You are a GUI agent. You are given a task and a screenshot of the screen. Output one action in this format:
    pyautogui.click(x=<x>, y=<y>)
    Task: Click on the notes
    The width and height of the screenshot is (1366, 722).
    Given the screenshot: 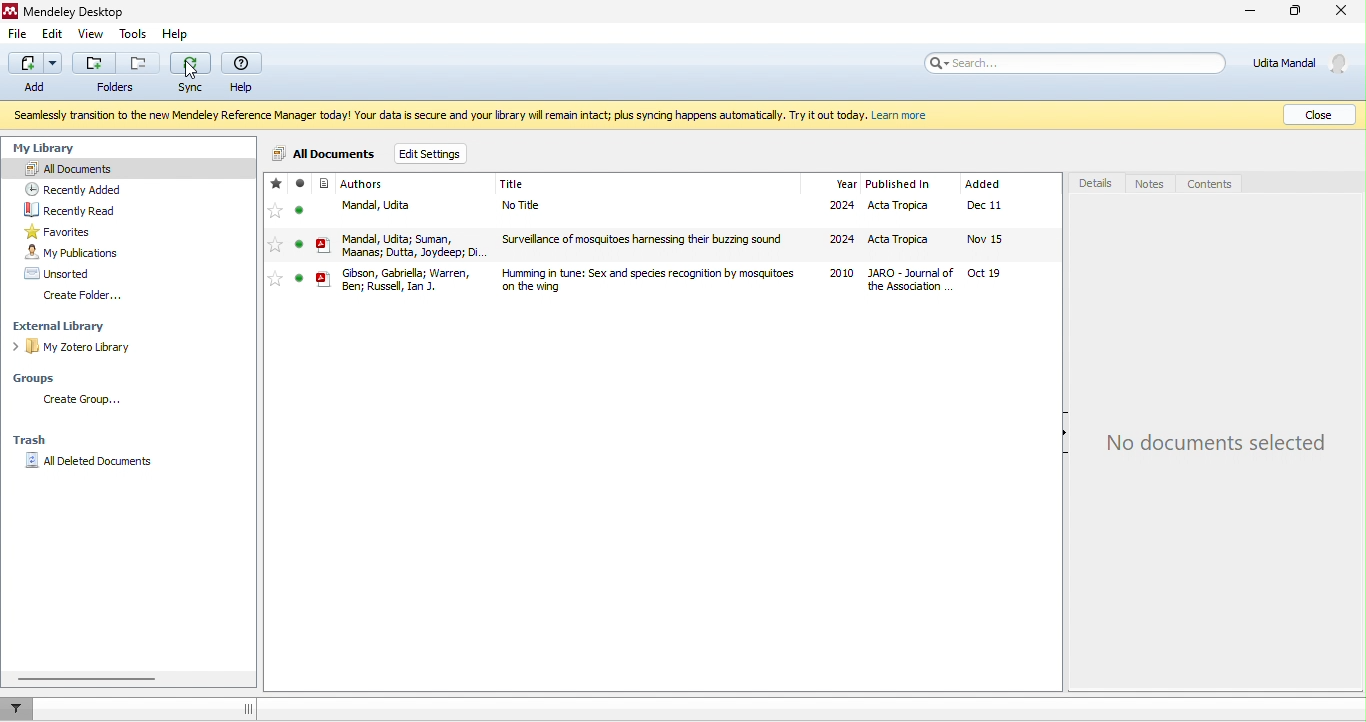 What is the action you would take?
    pyautogui.click(x=1150, y=182)
    